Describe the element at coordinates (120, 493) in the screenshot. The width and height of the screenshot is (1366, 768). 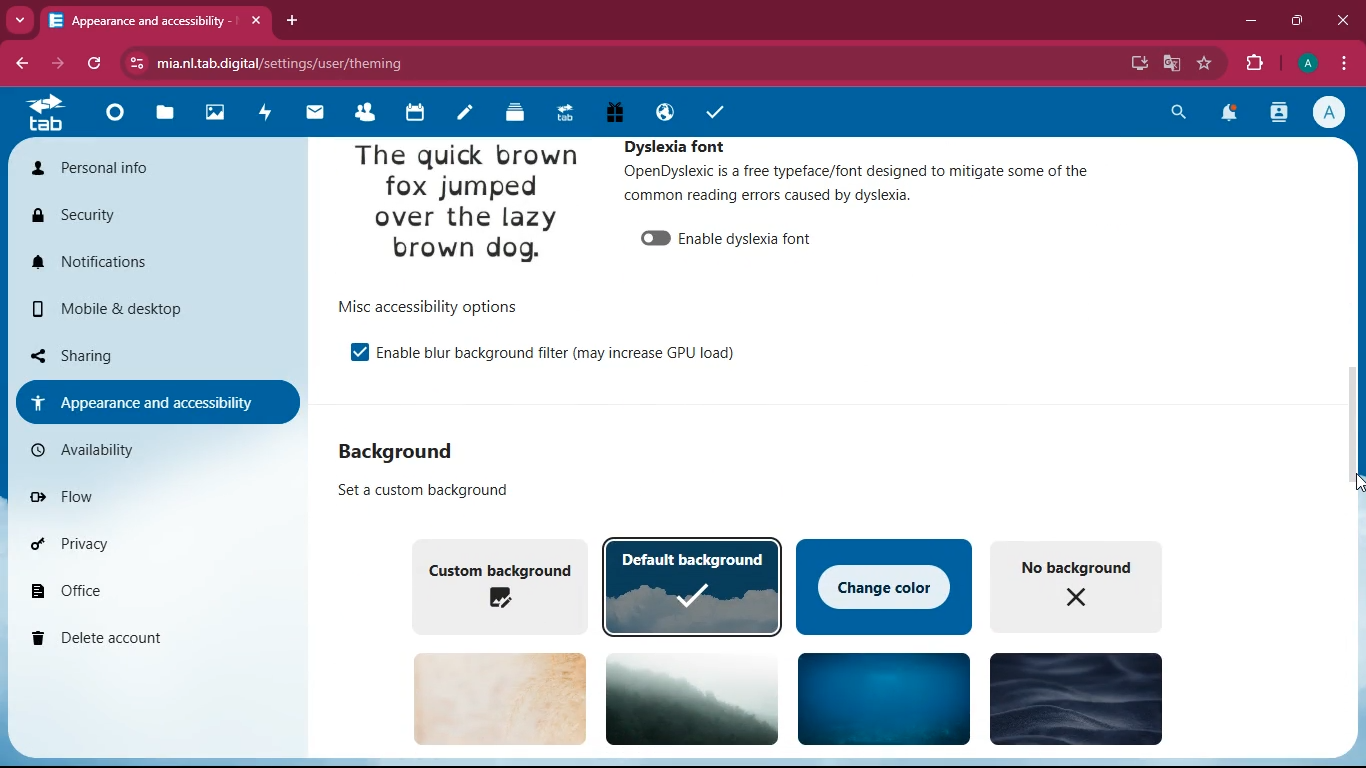
I see `flow` at that location.